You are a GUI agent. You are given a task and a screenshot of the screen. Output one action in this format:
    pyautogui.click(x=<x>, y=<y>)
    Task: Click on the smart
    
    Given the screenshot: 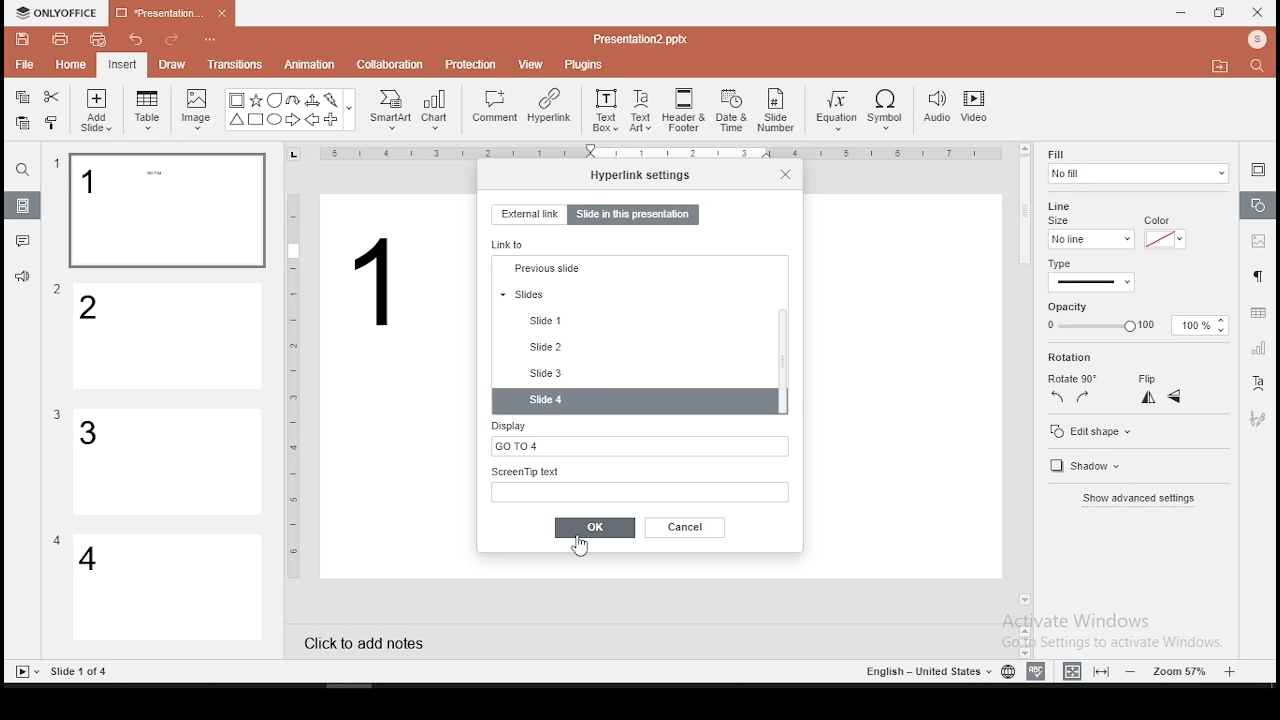 What is the action you would take?
    pyautogui.click(x=388, y=110)
    